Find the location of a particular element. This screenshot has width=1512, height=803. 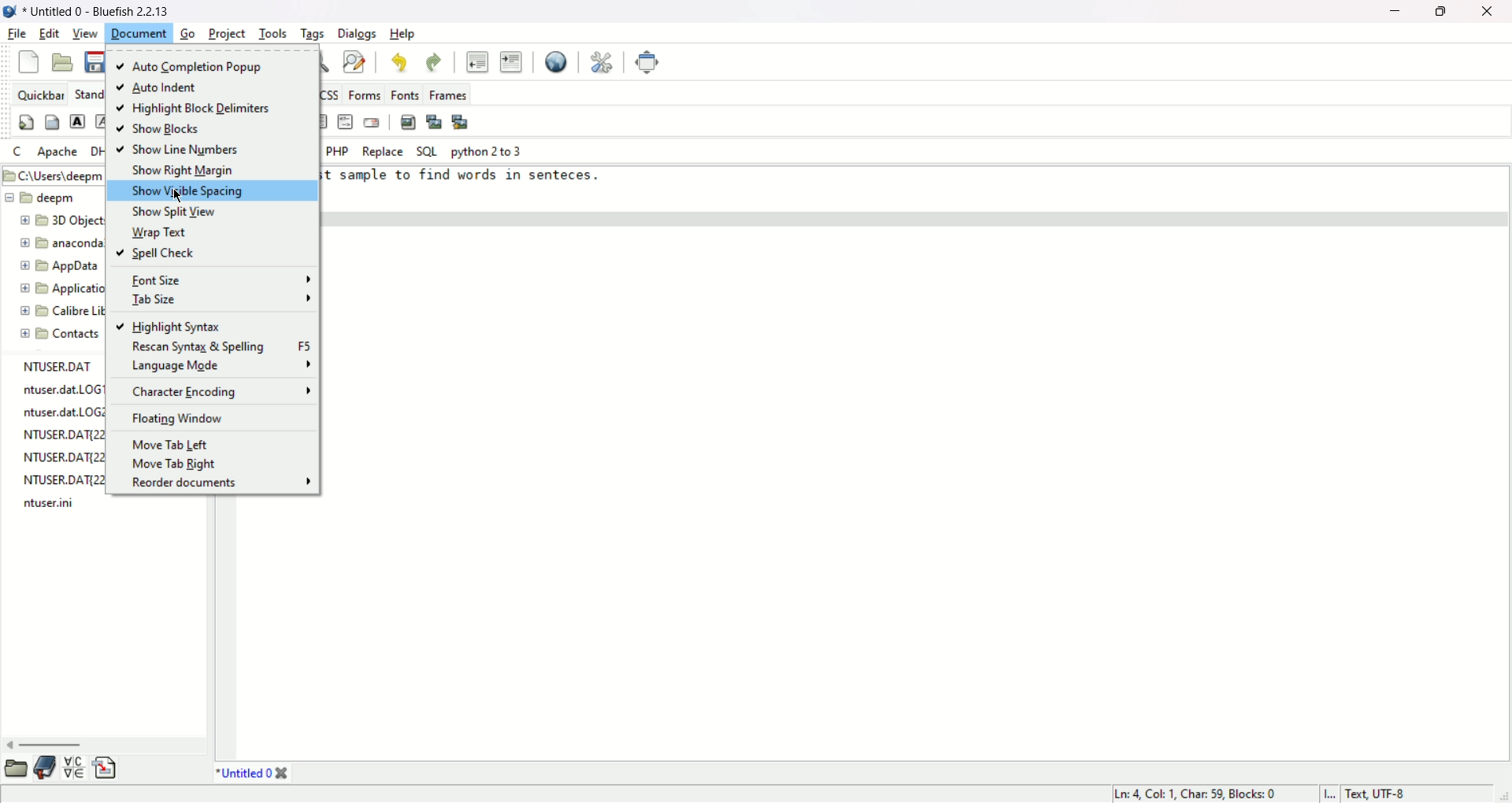

Replace is located at coordinates (380, 151).